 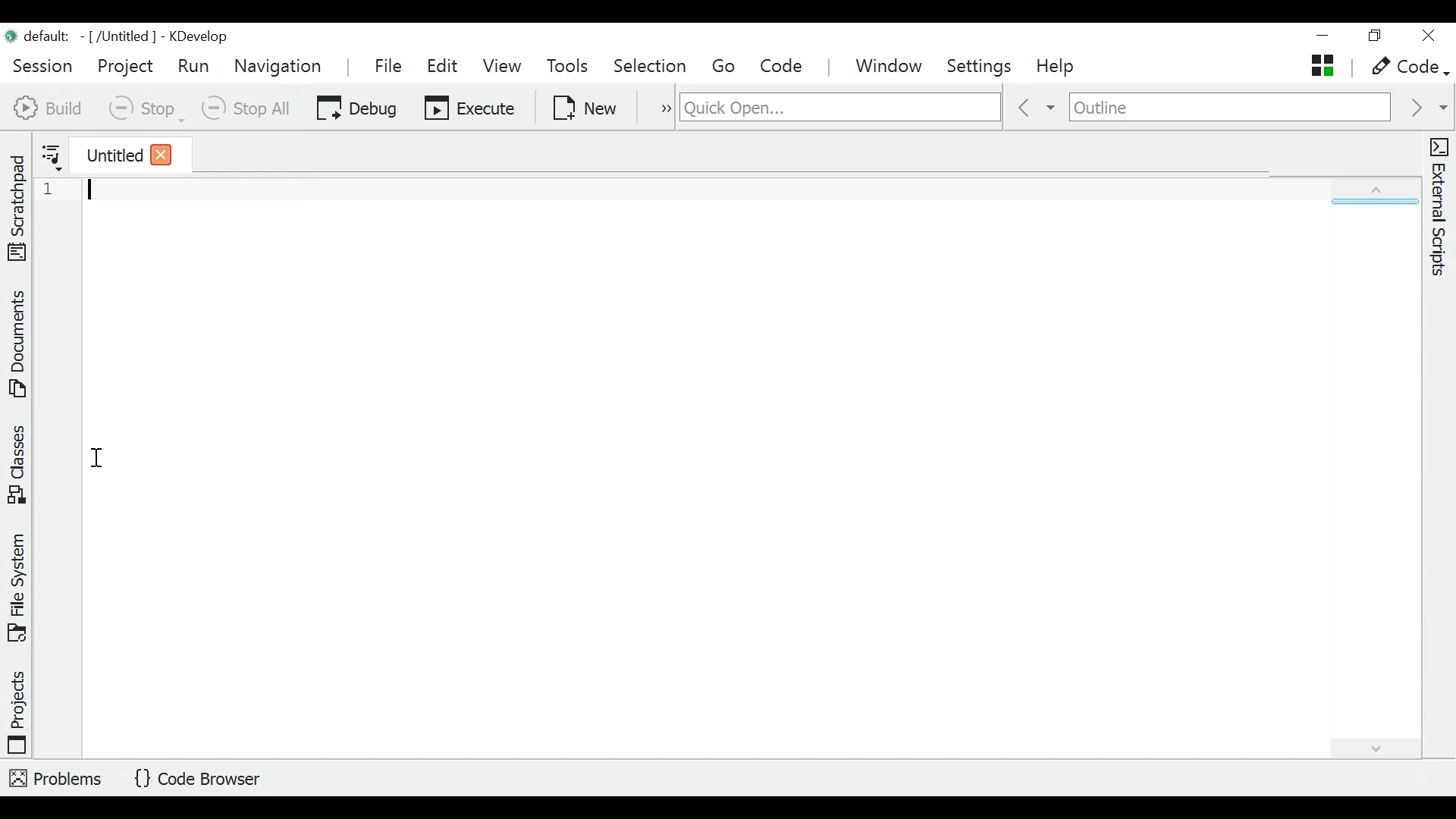 I want to click on Window, so click(x=890, y=66).